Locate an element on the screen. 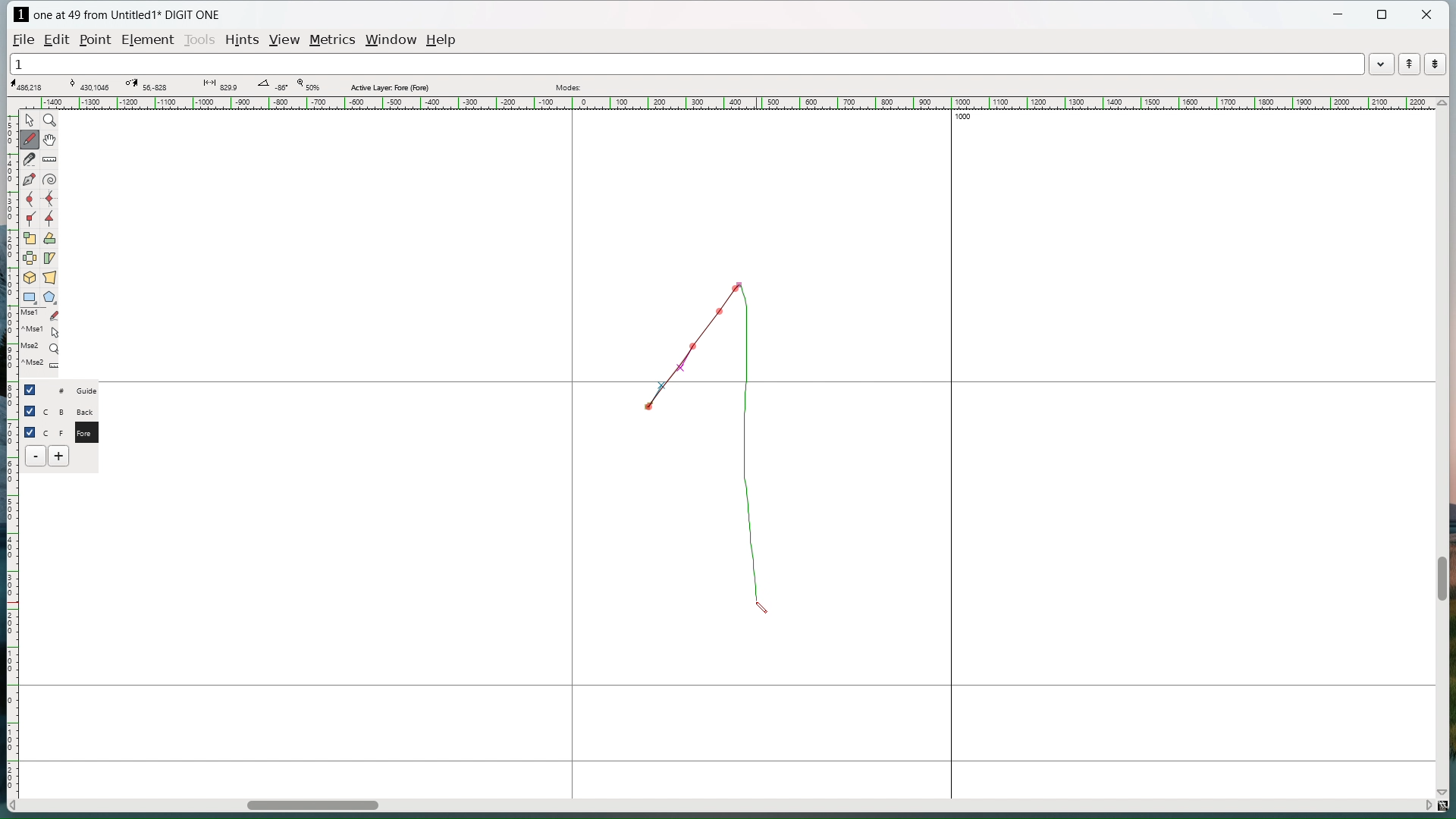 This screenshot has height=819, width=1456. file is located at coordinates (24, 39).